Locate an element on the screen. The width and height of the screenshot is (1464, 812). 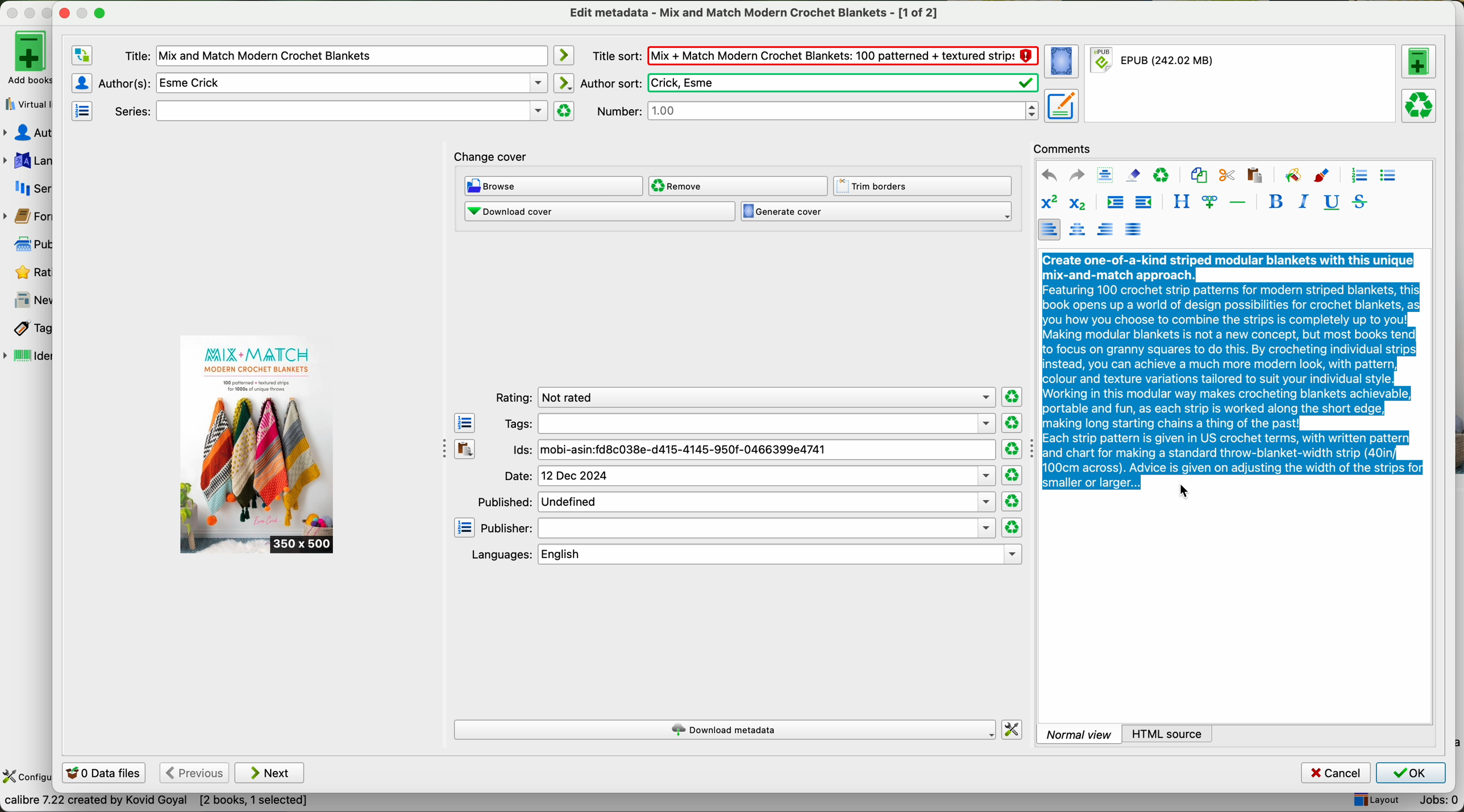
set the cover for the book is located at coordinates (1063, 62).